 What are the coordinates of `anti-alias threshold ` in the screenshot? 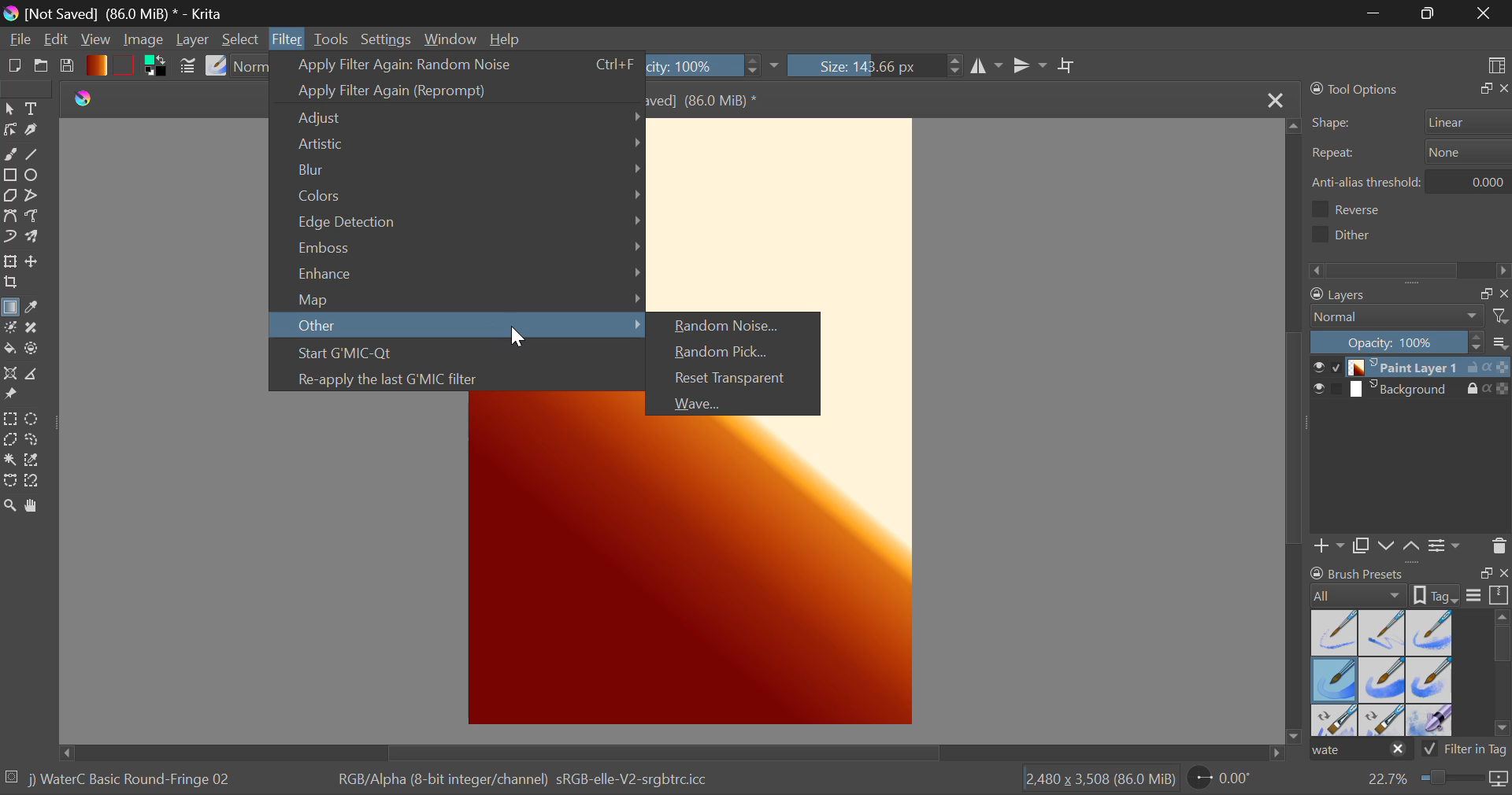 It's located at (1474, 179).